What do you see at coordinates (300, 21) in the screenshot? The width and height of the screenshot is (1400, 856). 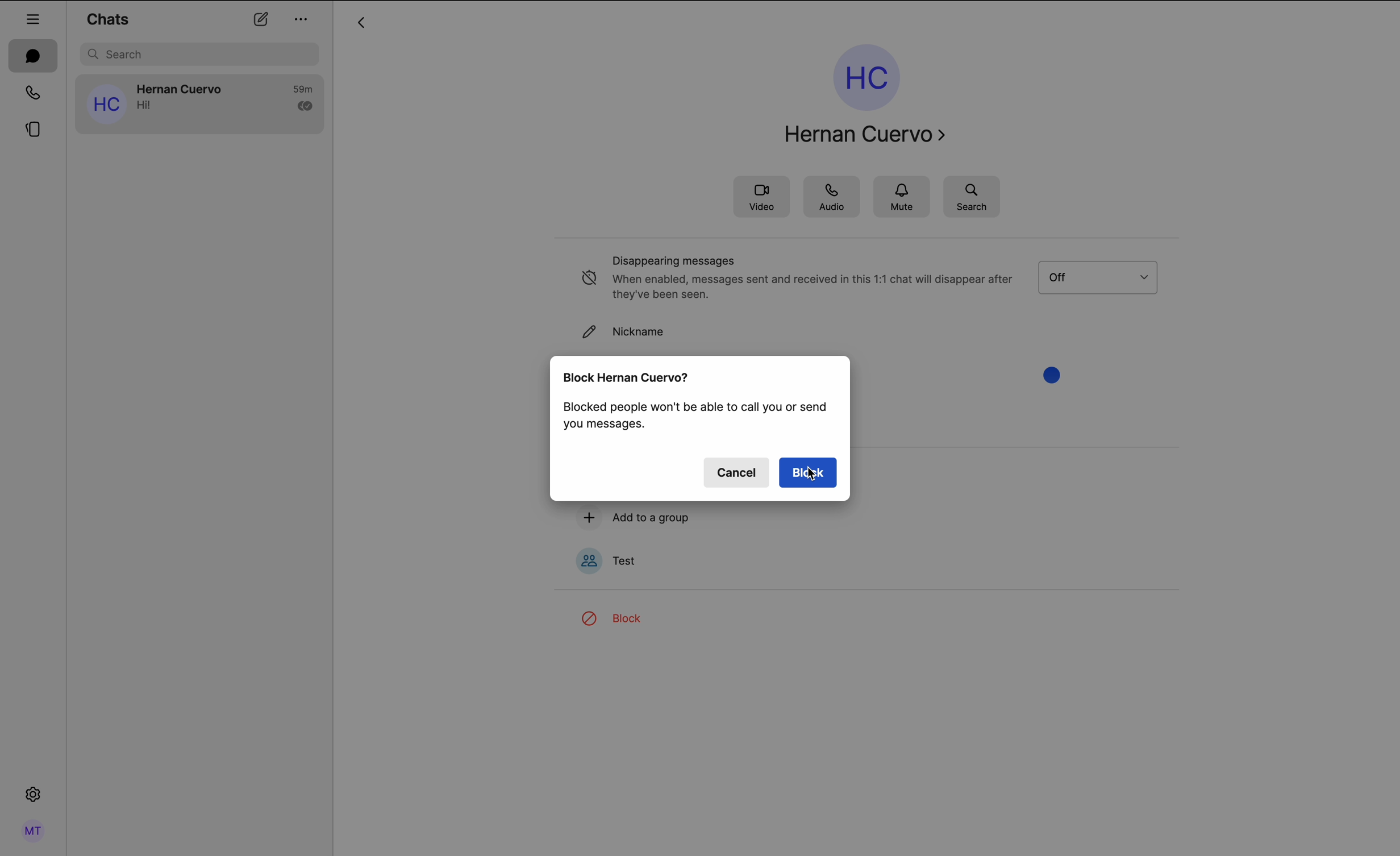 I see `options` at bounding box center [300, 21].